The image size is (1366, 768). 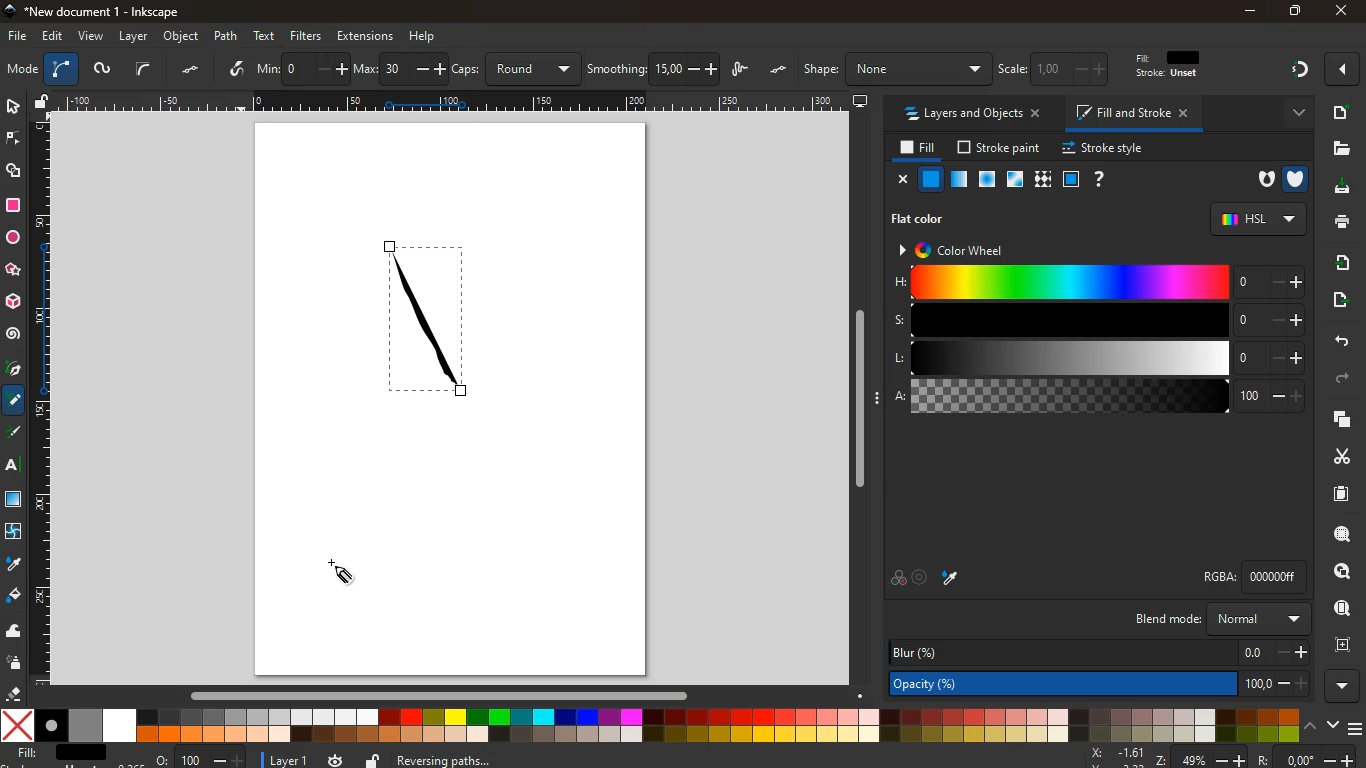 I want to click on draw, so click(x=742, y=71).